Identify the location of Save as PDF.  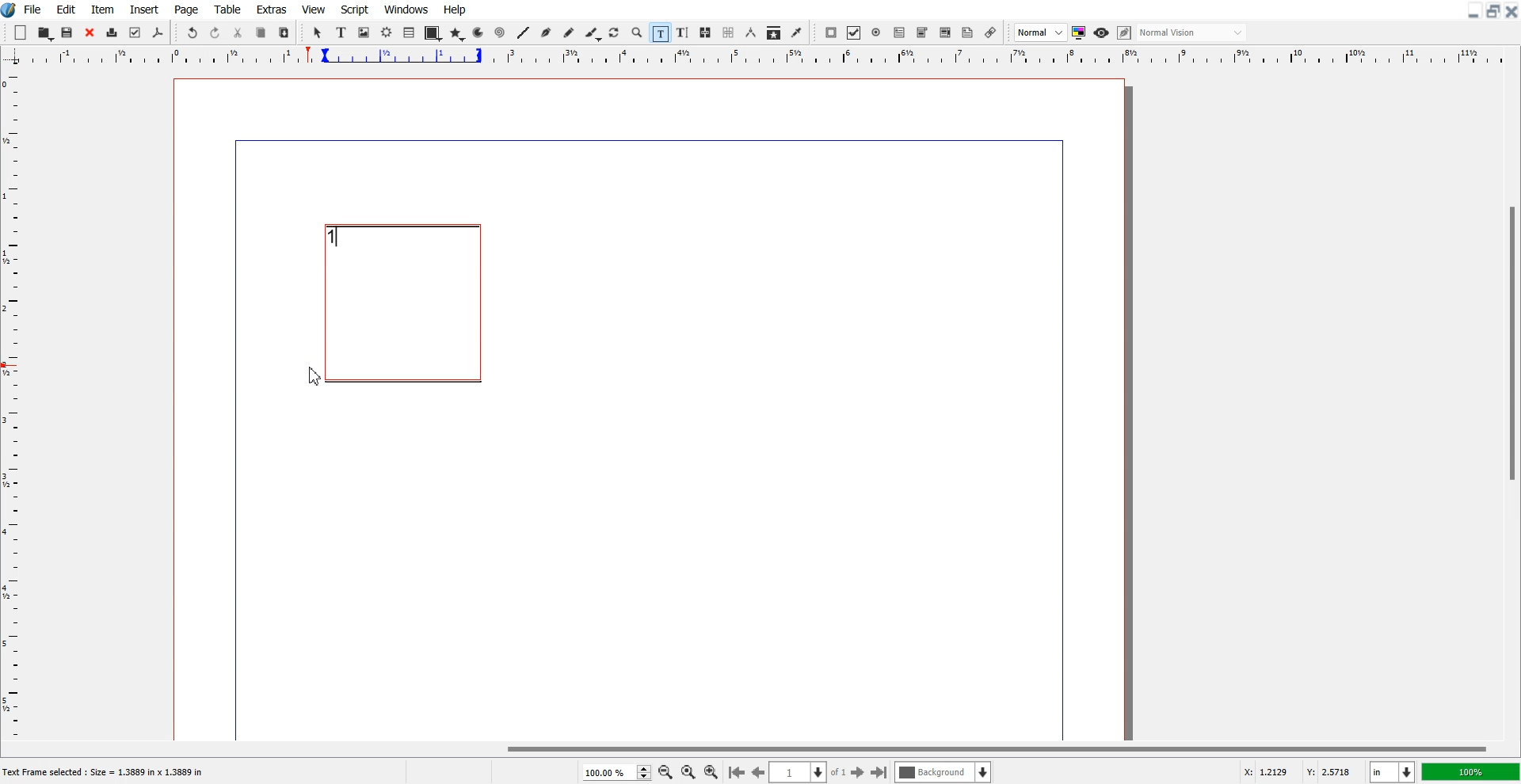
(158, 33).